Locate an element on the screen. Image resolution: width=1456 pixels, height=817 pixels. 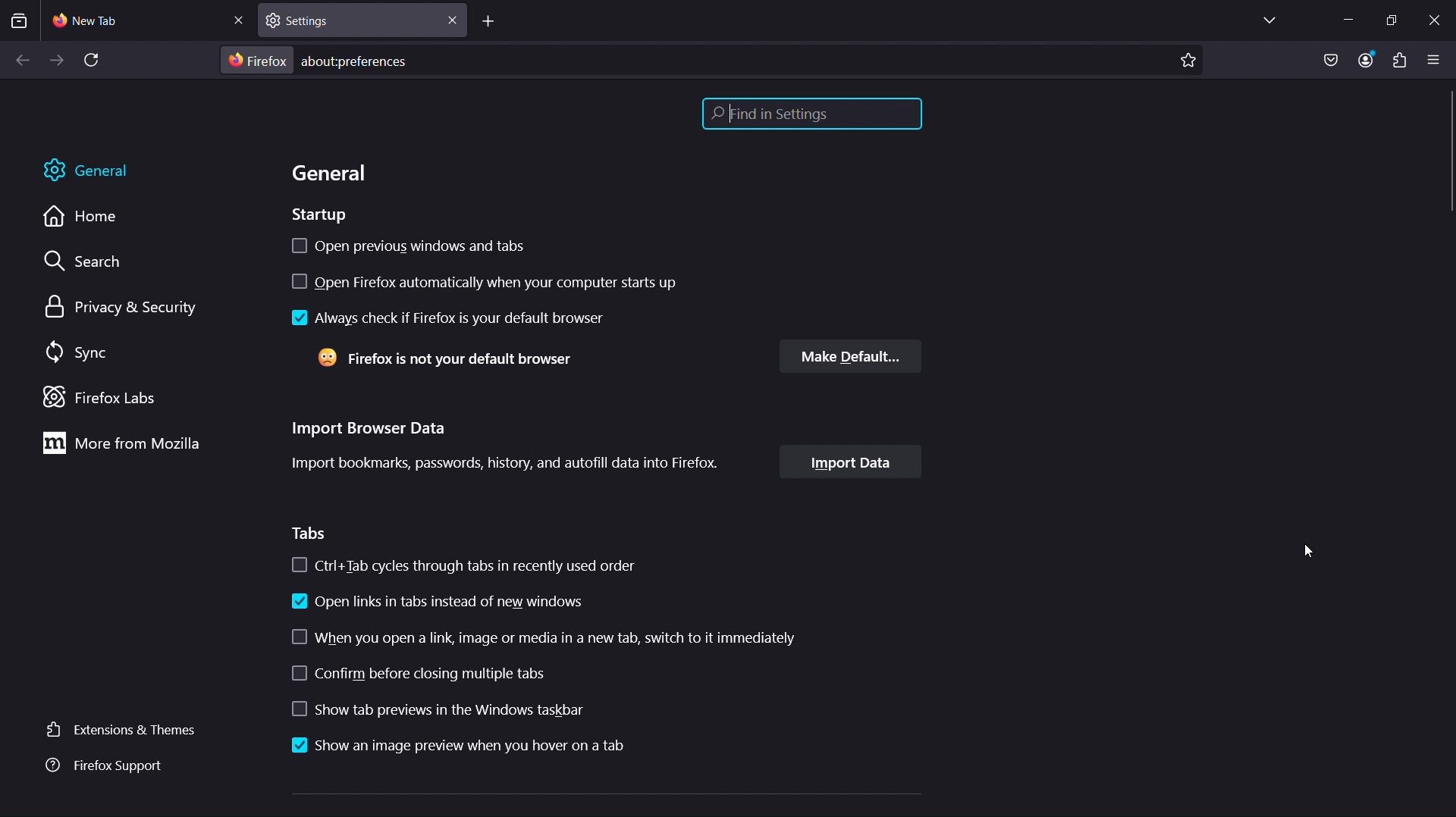
Import bookmarks, passwords, history and autofill data into Firefox is located at coordinates (510, 463).